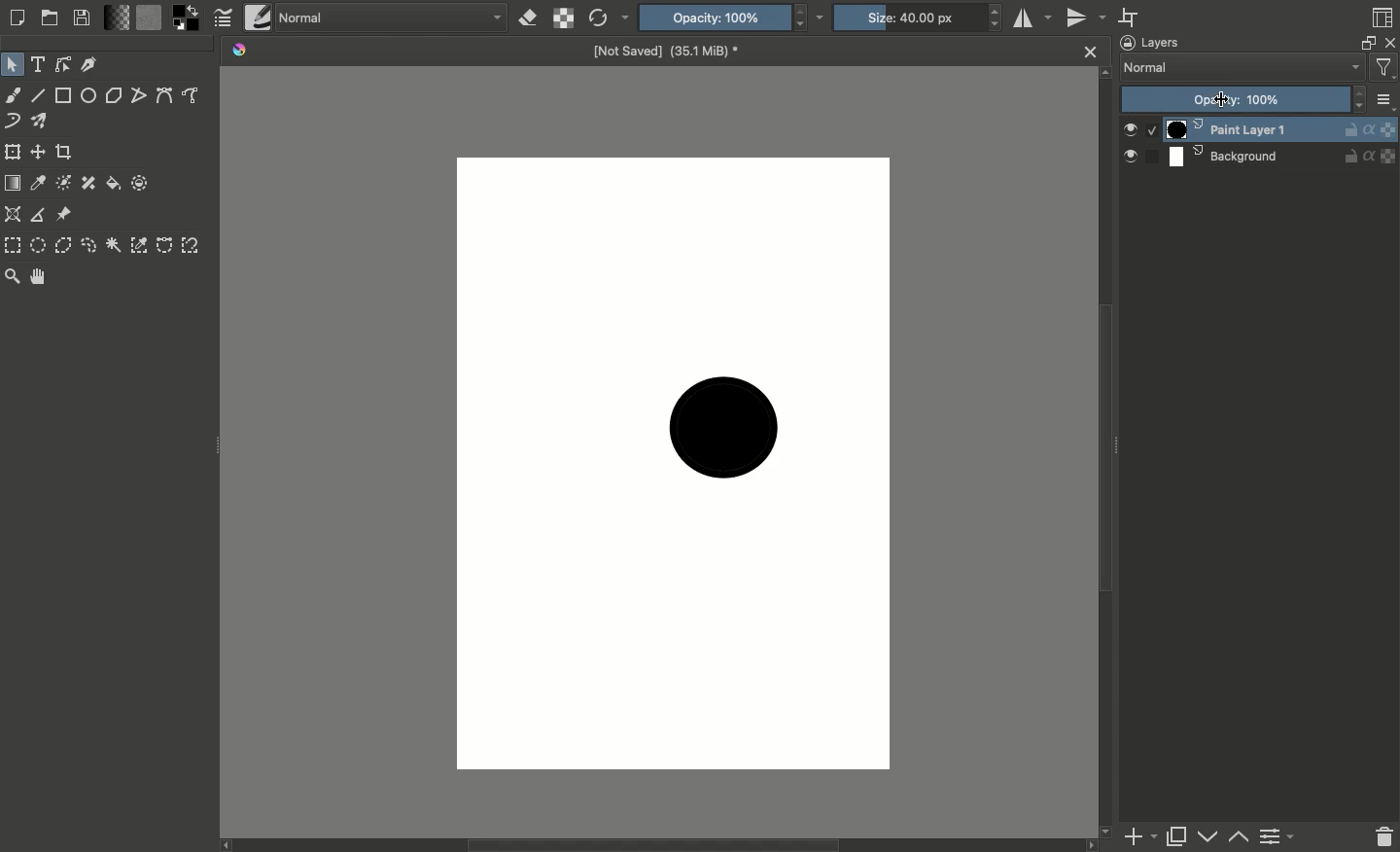 The height and width of the screenshot is (852, 1400). What do you see at coordinates (1129, 18) in the screenshot?
I see `Wrap around mode` at bounding box center [1129, 18].